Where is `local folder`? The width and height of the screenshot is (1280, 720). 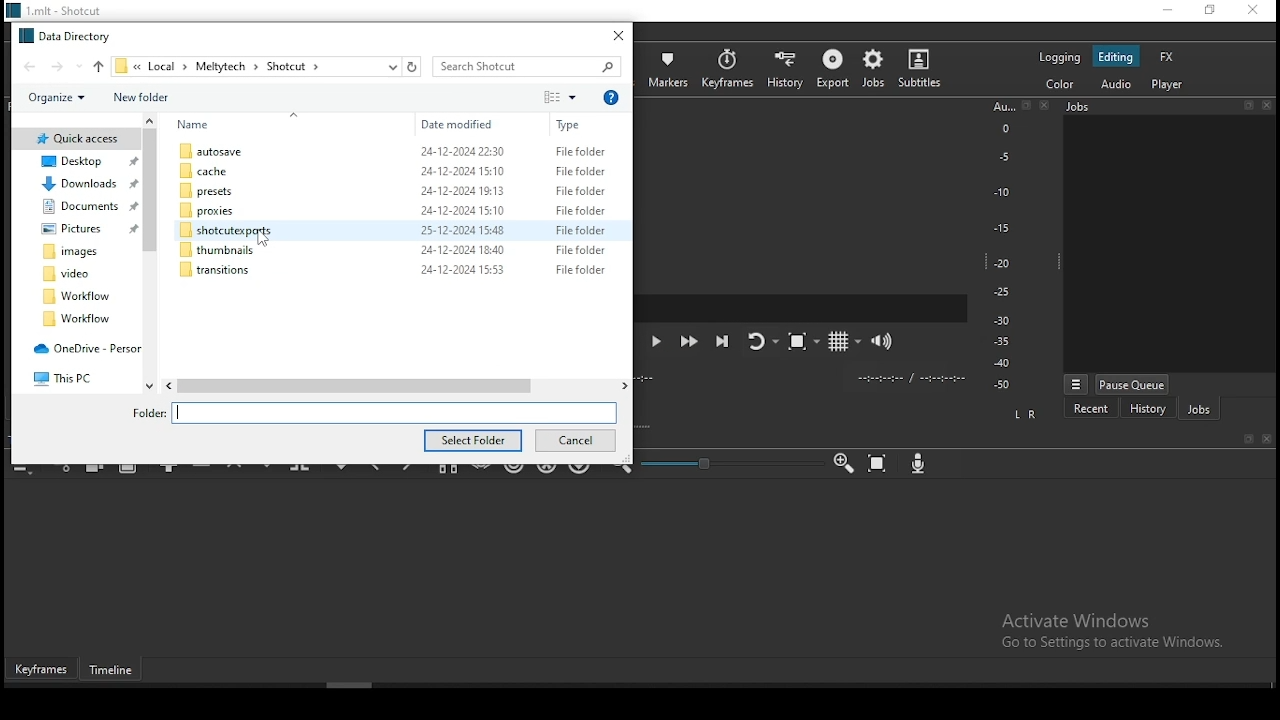
local folder is located at coordinates (223, 169).